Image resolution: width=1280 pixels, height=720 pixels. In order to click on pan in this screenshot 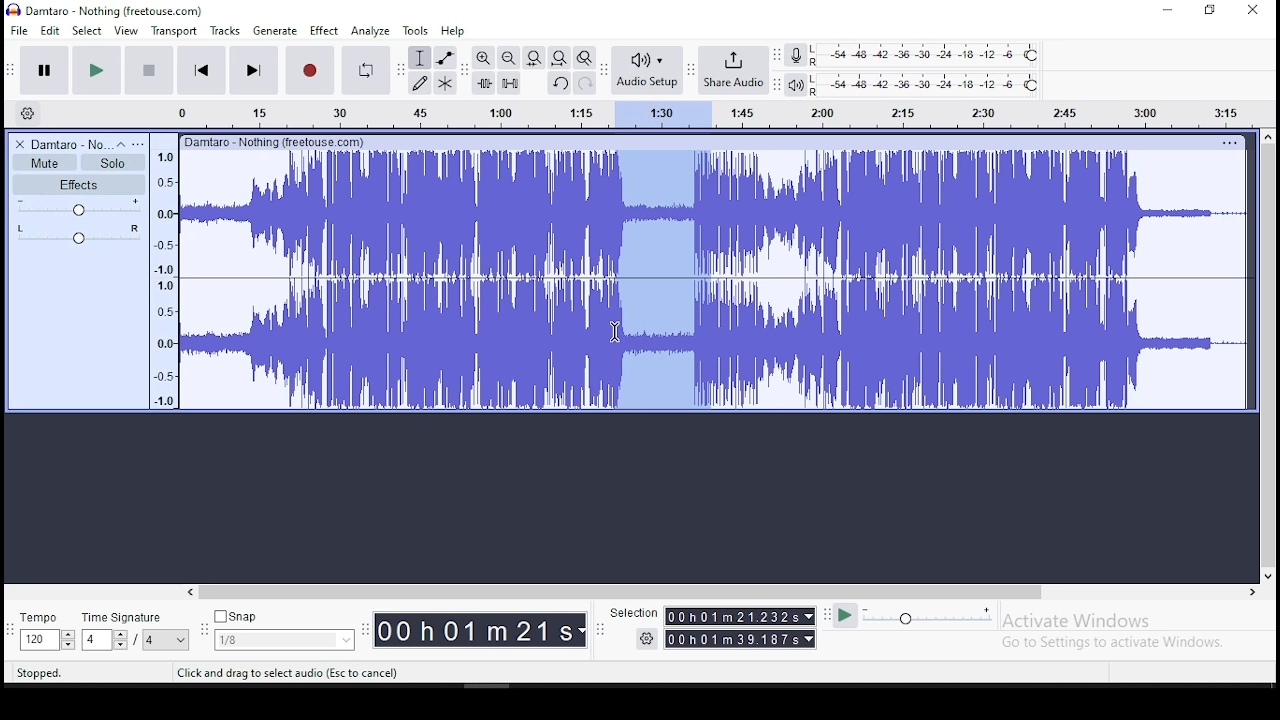, I will do `click(79, 234)`.